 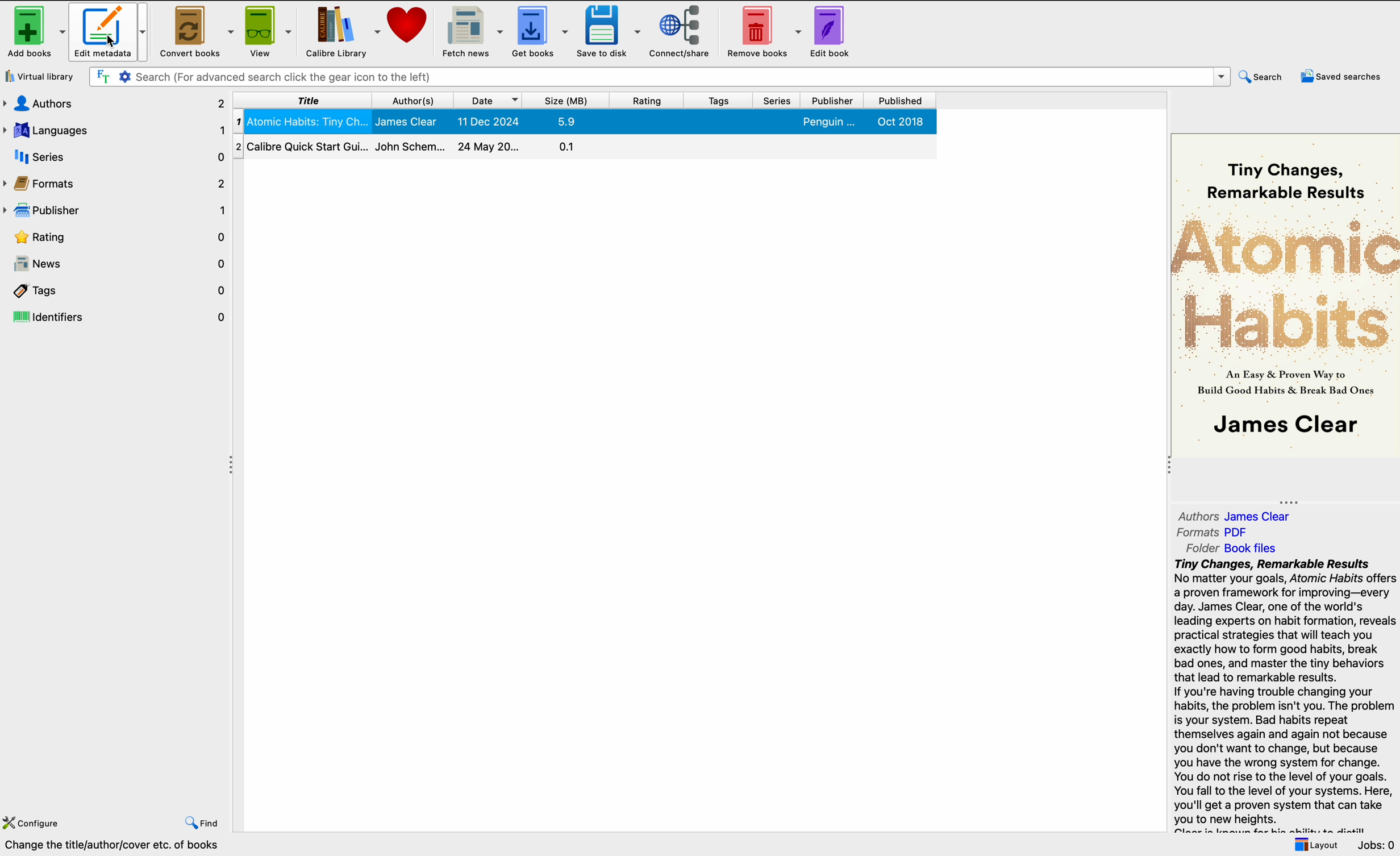 What do you see at coordinates (138, 846) in the screenshot?
I see `data` at bounding box center [138, 846].